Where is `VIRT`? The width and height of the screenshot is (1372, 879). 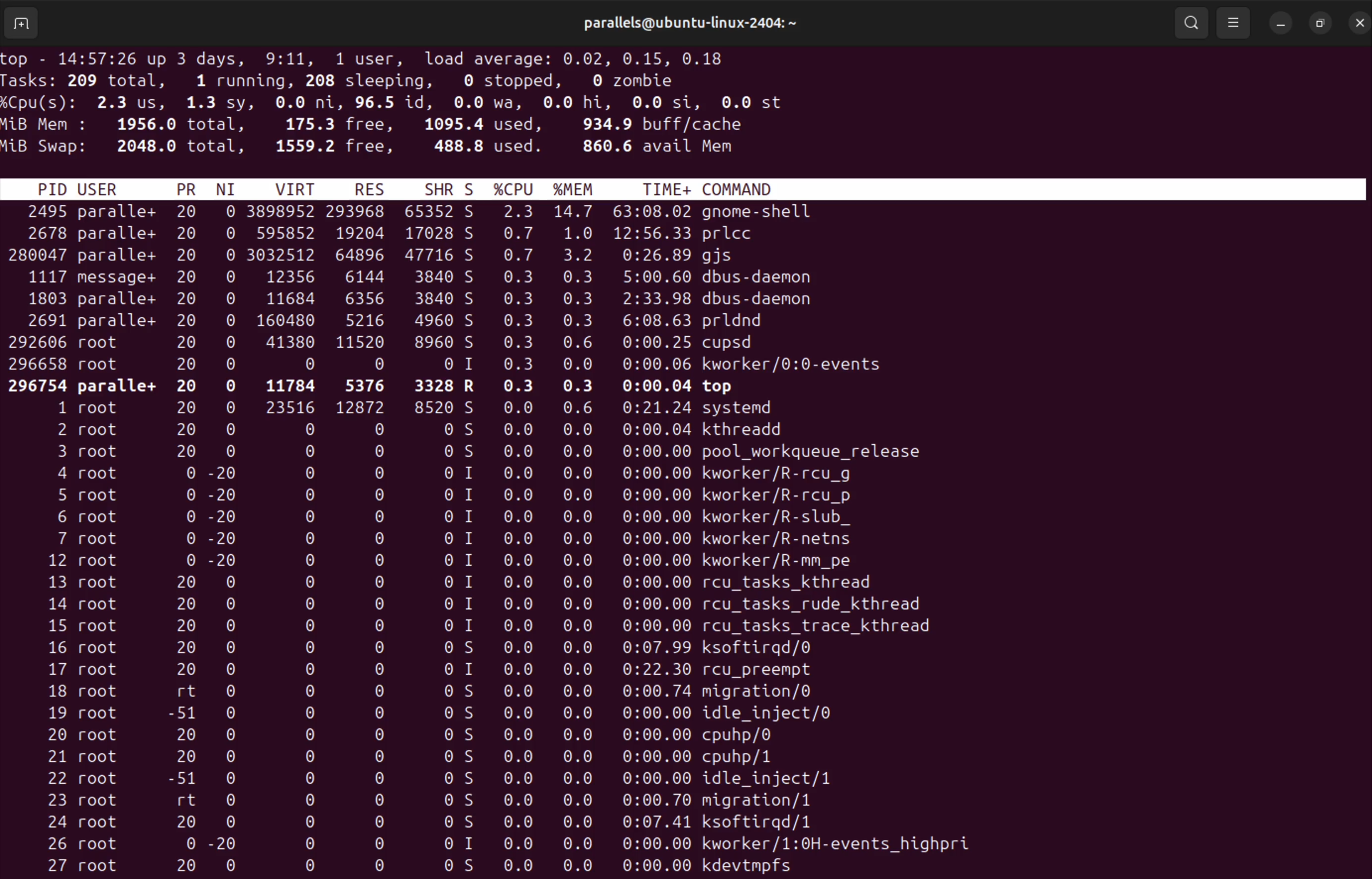 VIRT is located at coordinates (300, 188).